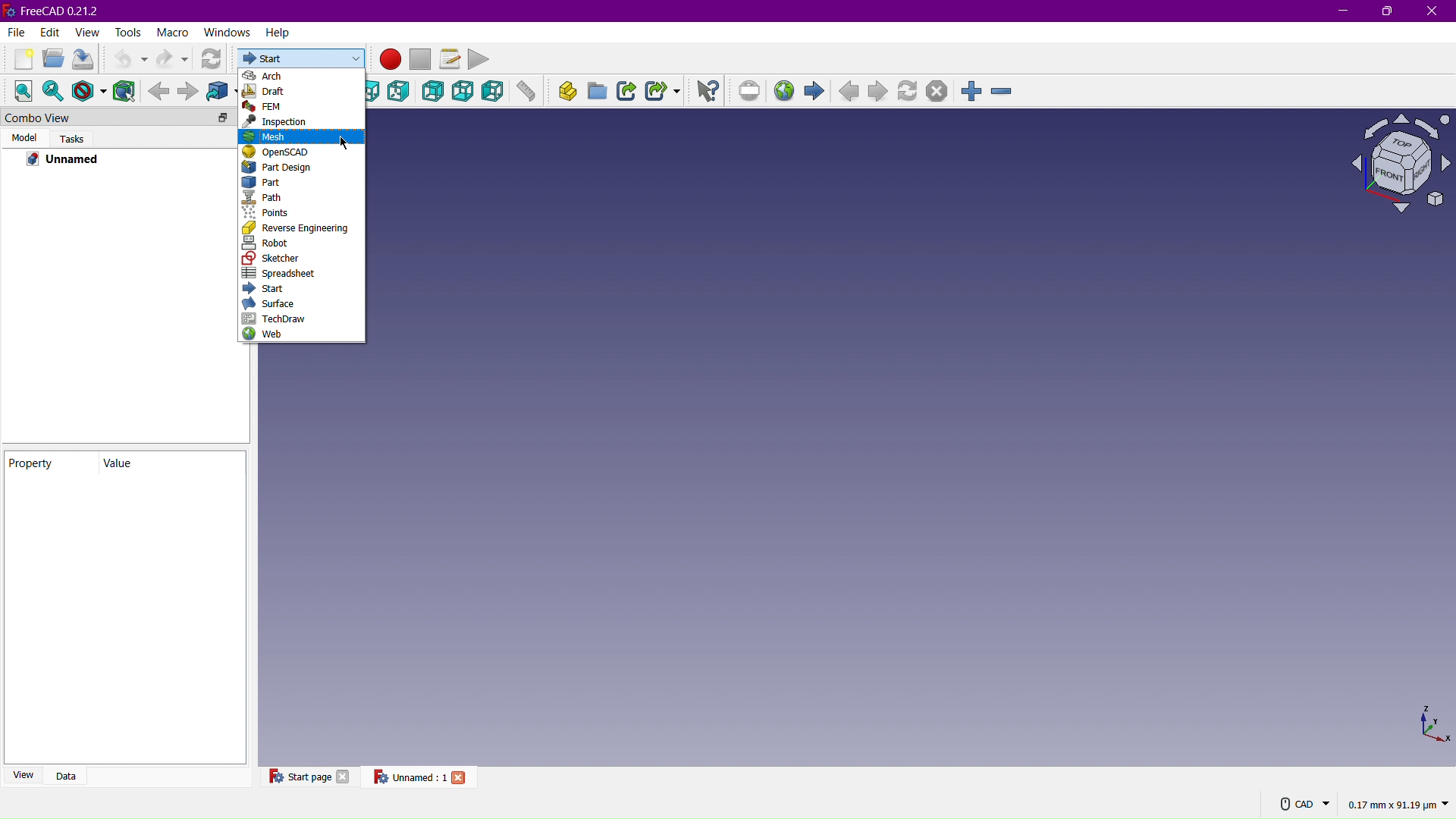 This screenshot has width=1456, height=819. I want to click on close, so click(344, 776).